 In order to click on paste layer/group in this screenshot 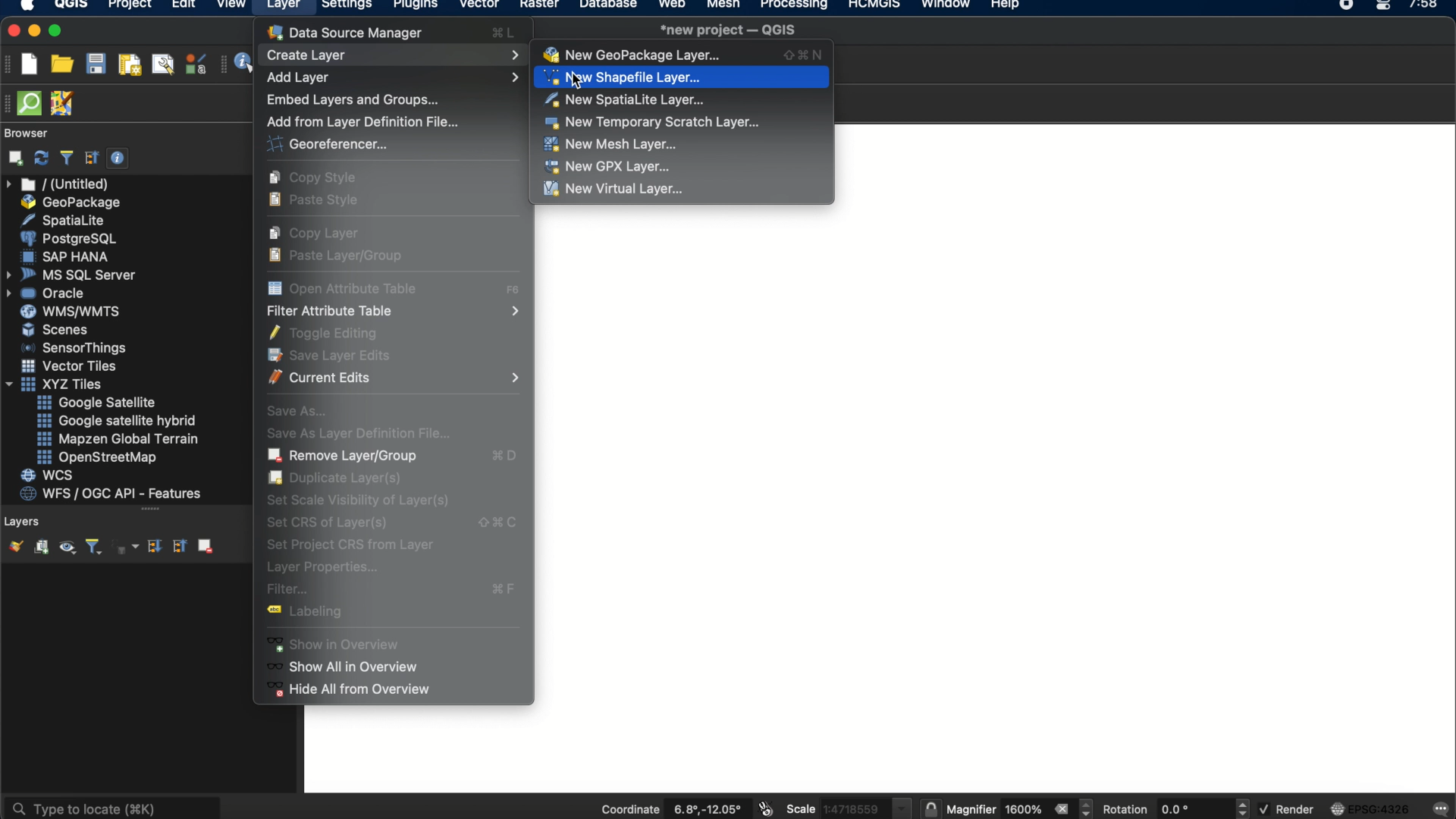, I will do `click(336, 256)`.